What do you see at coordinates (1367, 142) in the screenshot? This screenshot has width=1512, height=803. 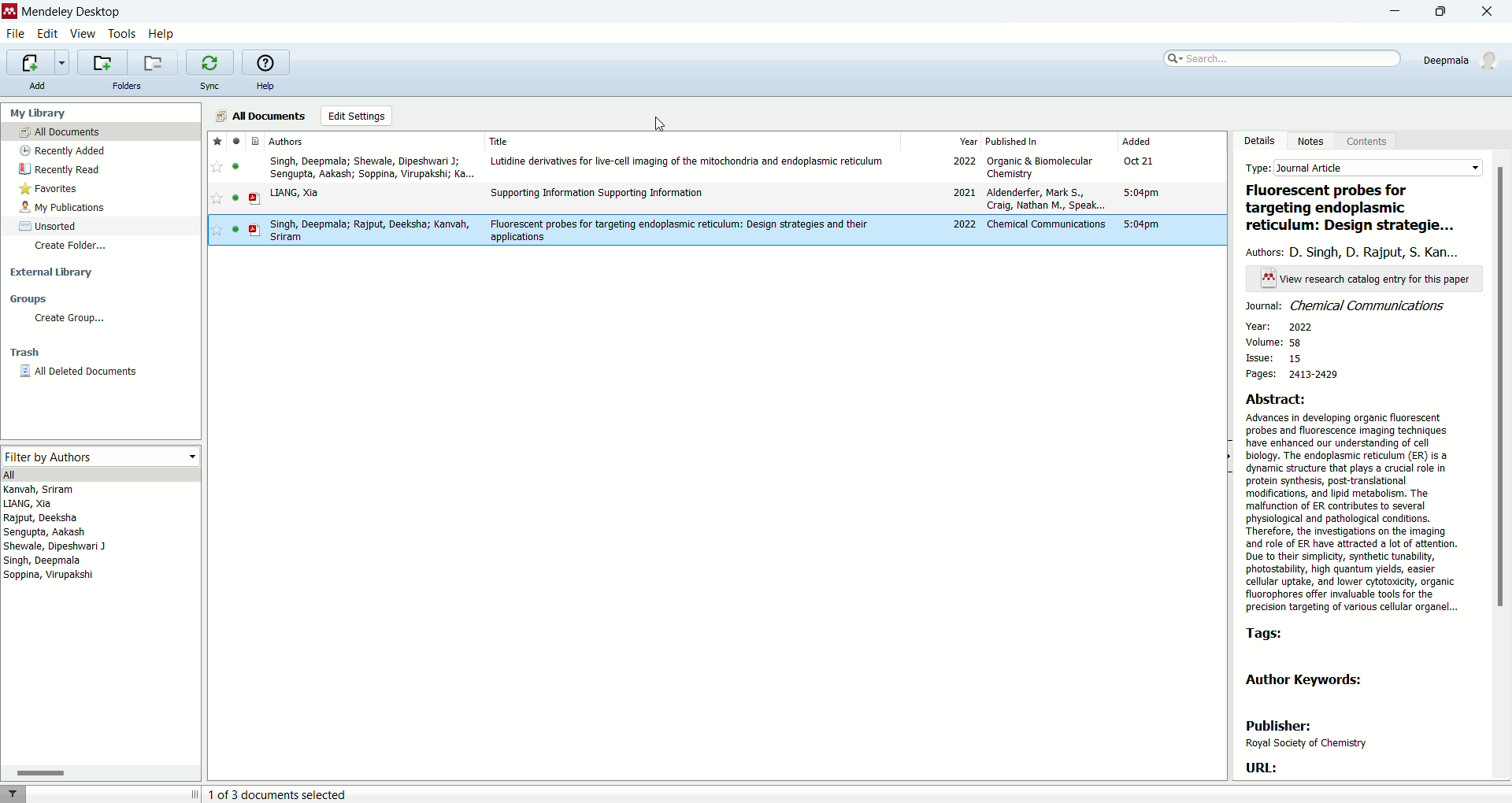 I see `content` at bounding box center [1367, 142].